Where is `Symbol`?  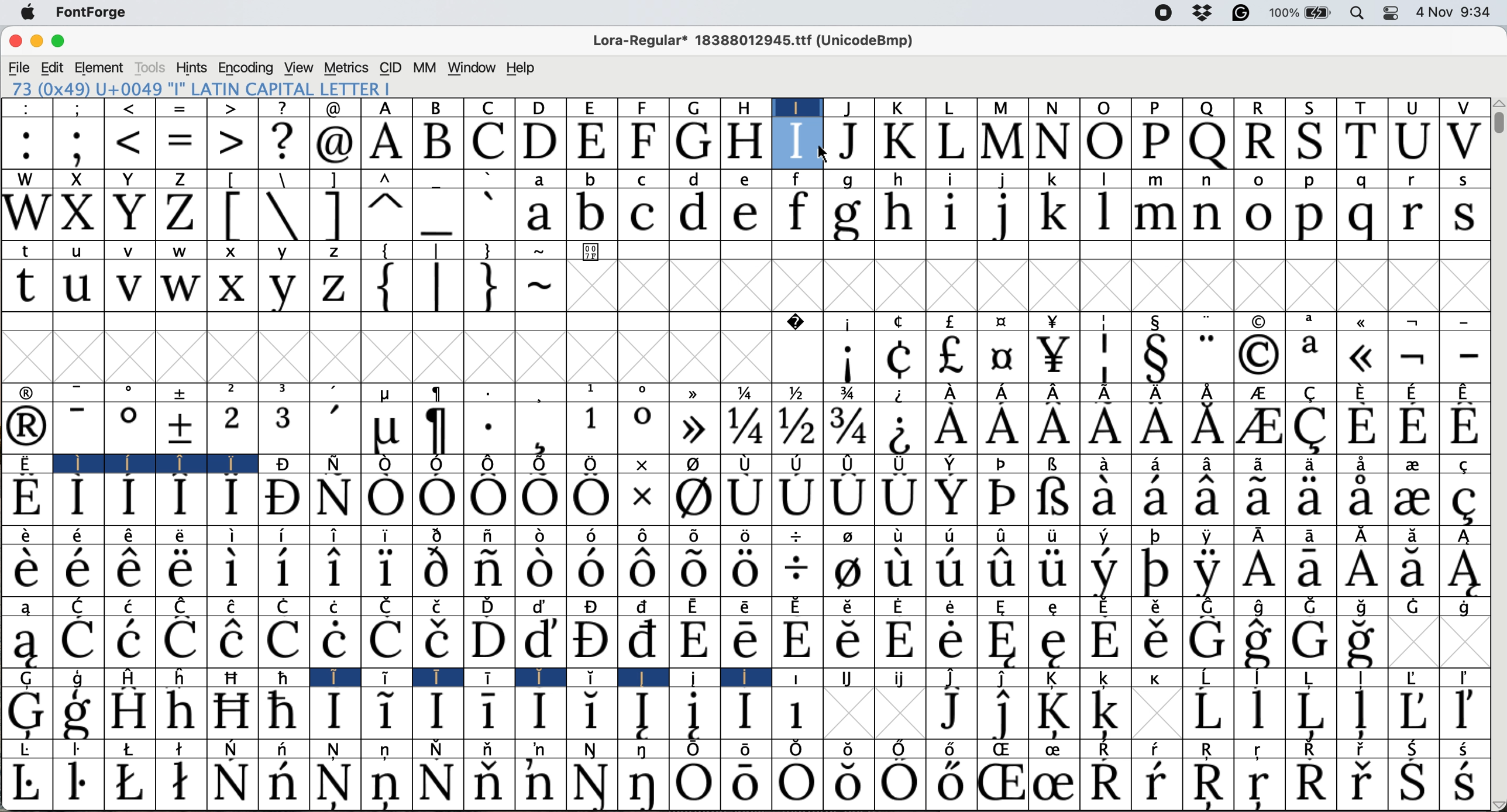 Symbol is located at coordinates (1465, 502).